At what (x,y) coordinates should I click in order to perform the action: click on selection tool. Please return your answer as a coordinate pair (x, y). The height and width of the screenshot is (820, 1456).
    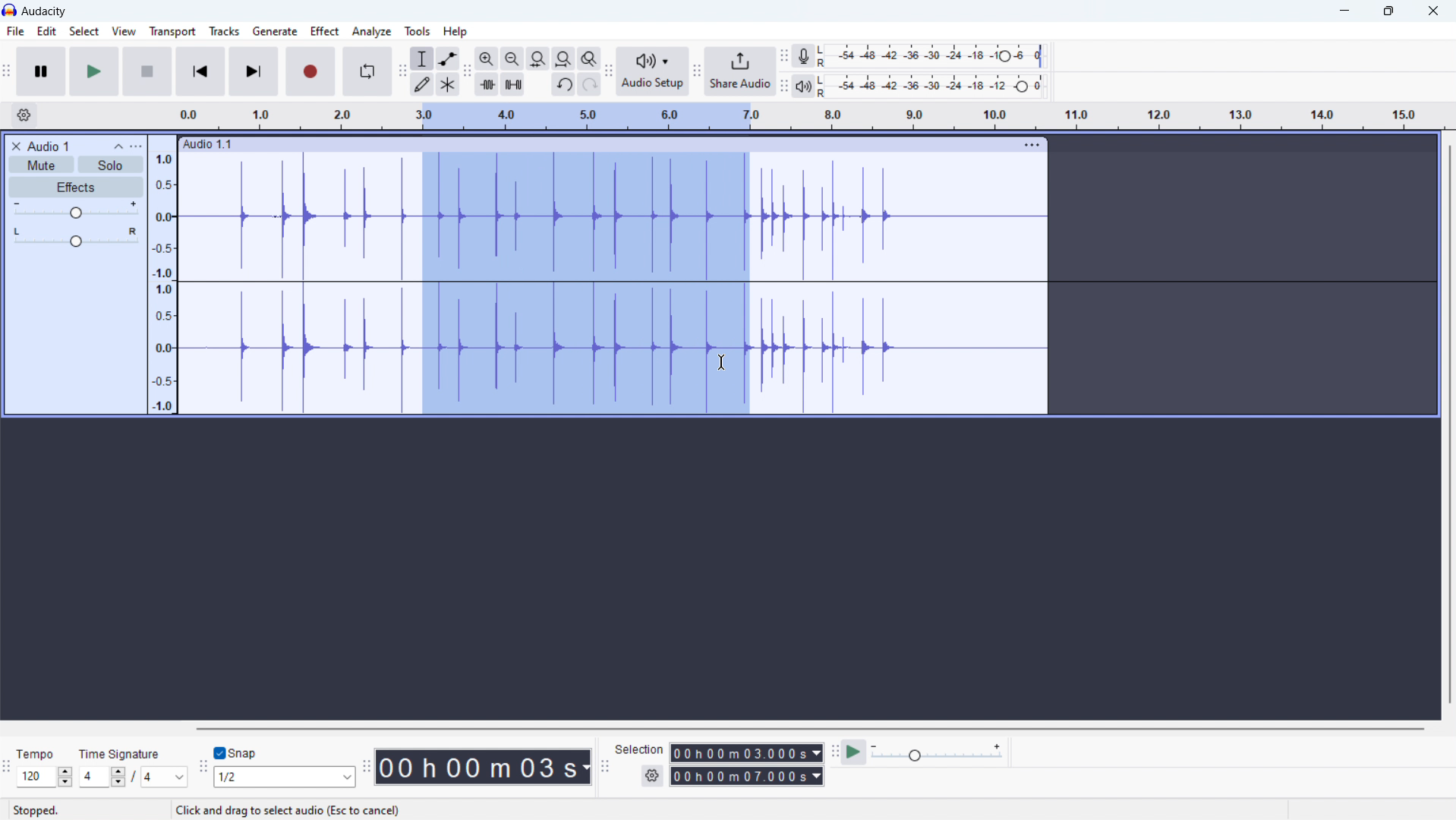
    Looking at the image, I should click on (422, 58).